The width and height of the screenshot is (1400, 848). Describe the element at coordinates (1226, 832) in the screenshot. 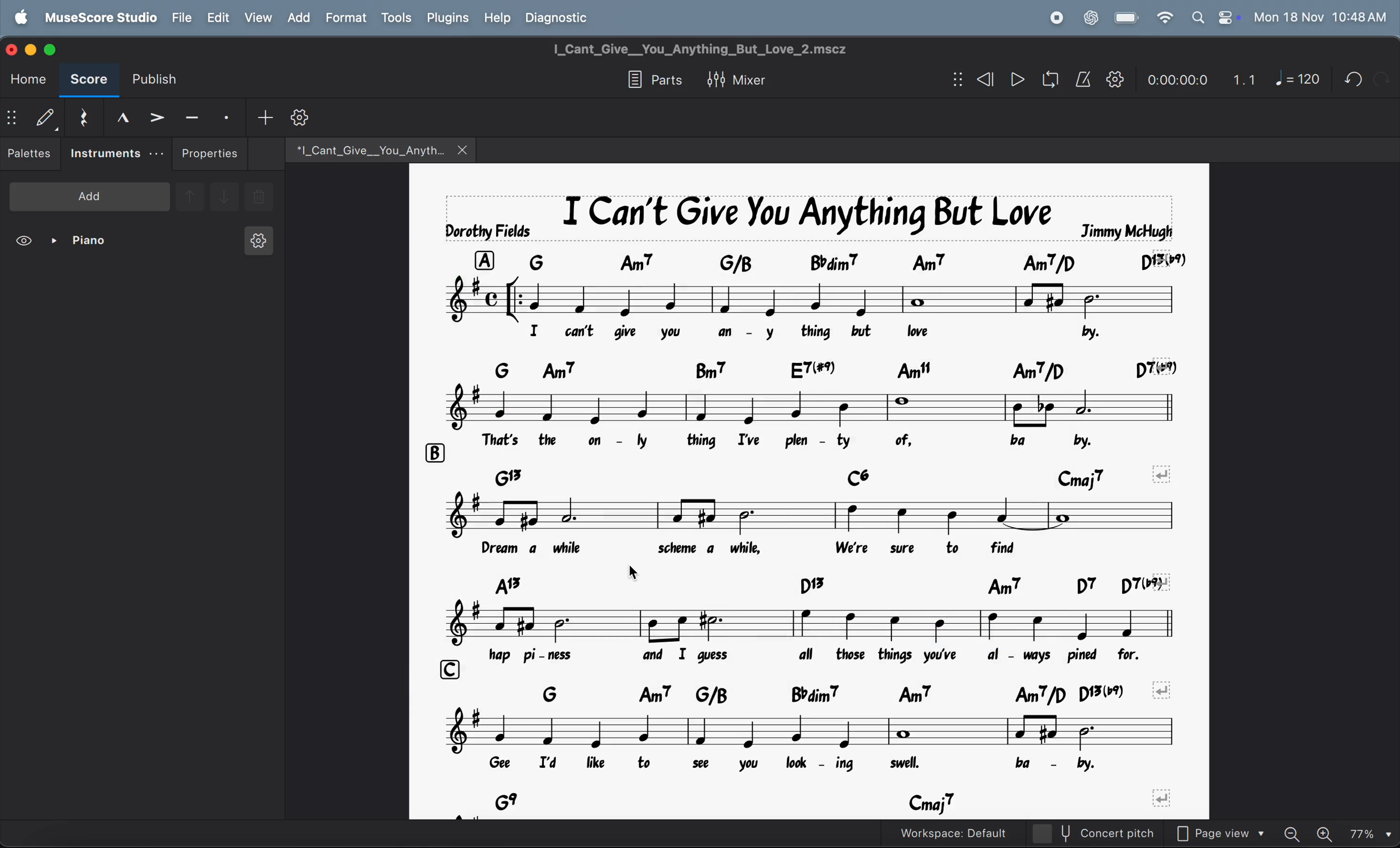

I see `page view` at that location.